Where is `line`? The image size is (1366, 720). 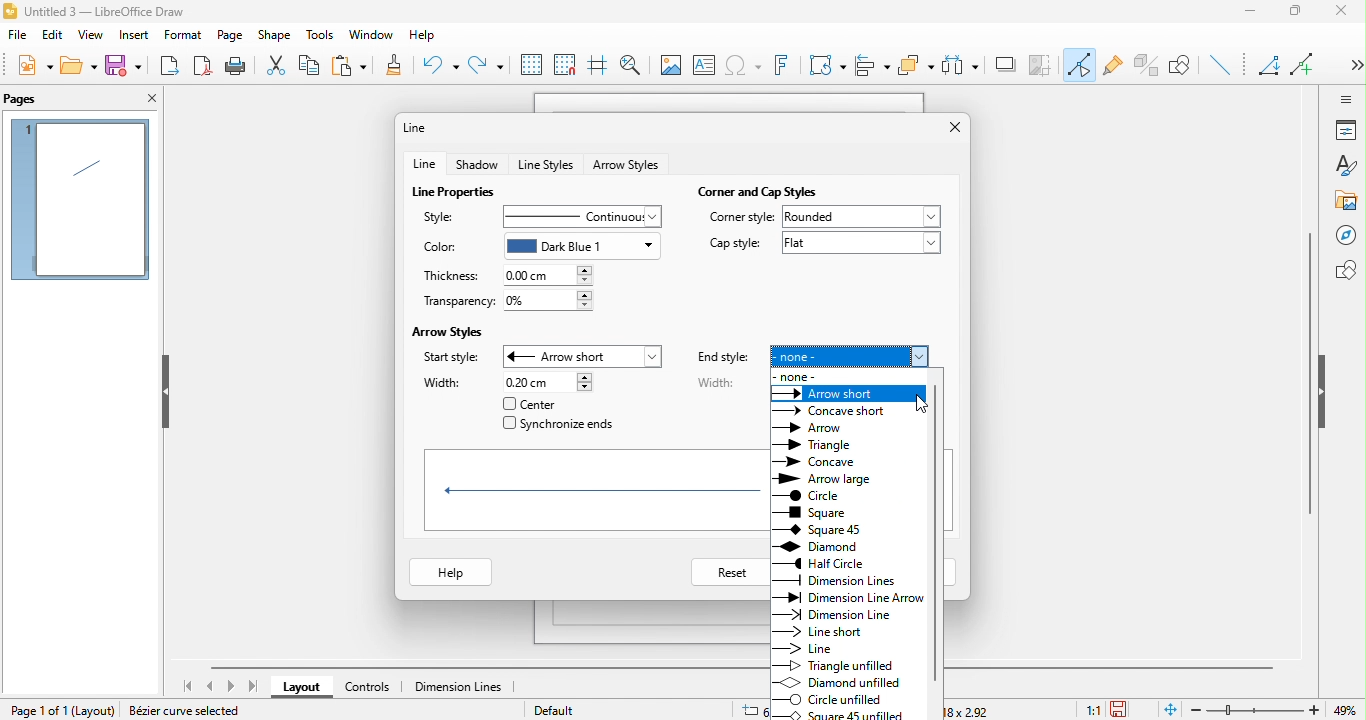
line is located at coordinates (422, 127).